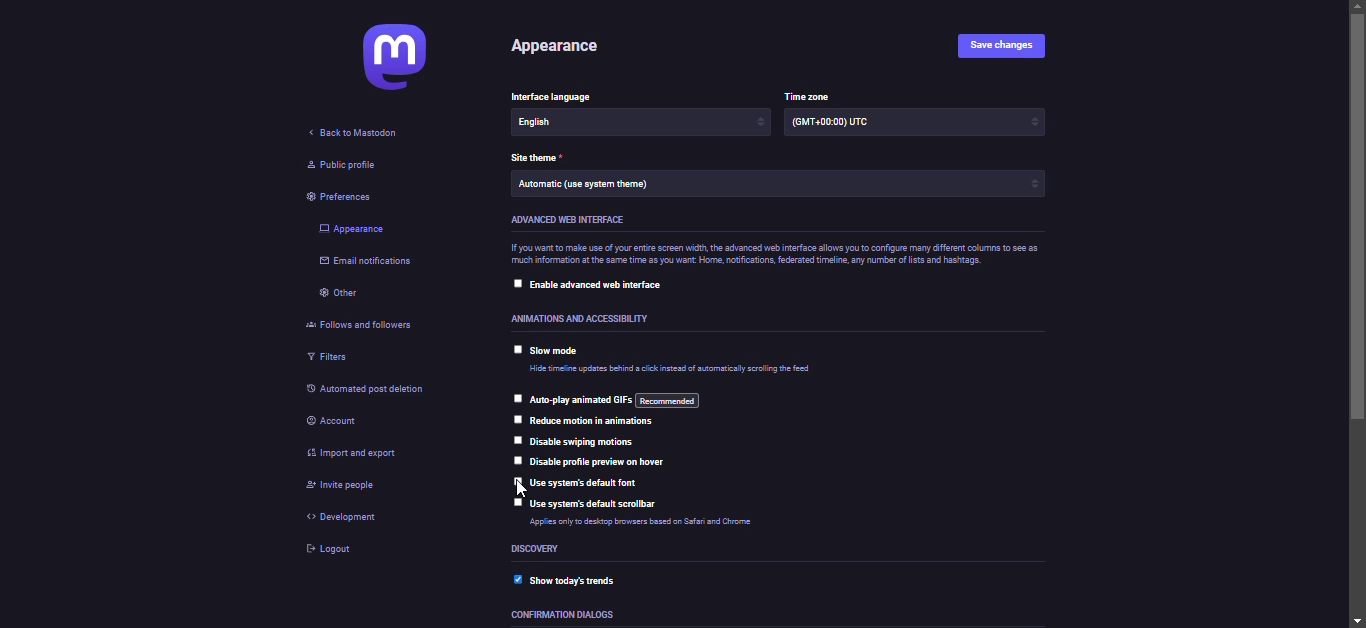 This screenshot has height=628, width=1366. Describe the element at coordinates (594, 422) in the screenshot. I see `reduce motion in animations` at that location.